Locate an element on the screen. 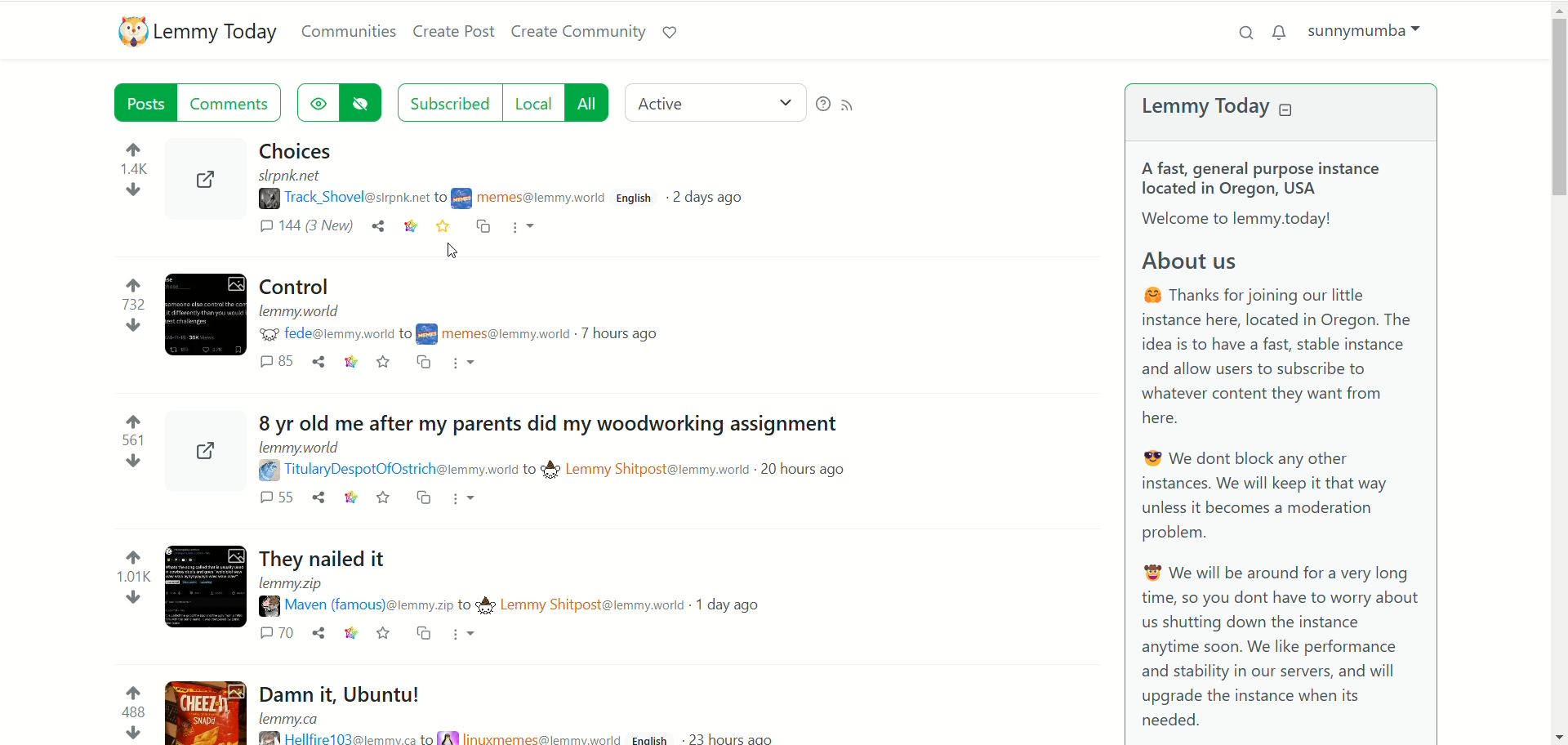  save is located at coordinates (384, 636).